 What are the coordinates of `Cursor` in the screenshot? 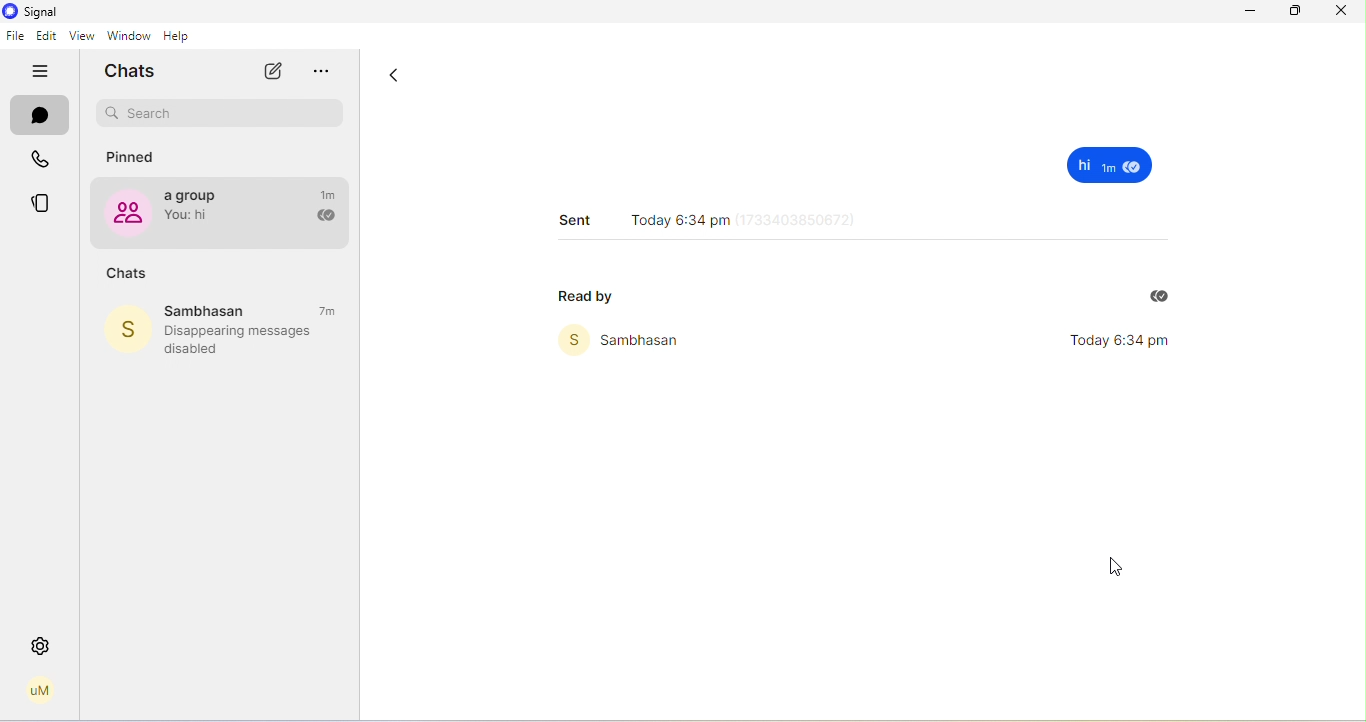 It's located at (1113, 571).